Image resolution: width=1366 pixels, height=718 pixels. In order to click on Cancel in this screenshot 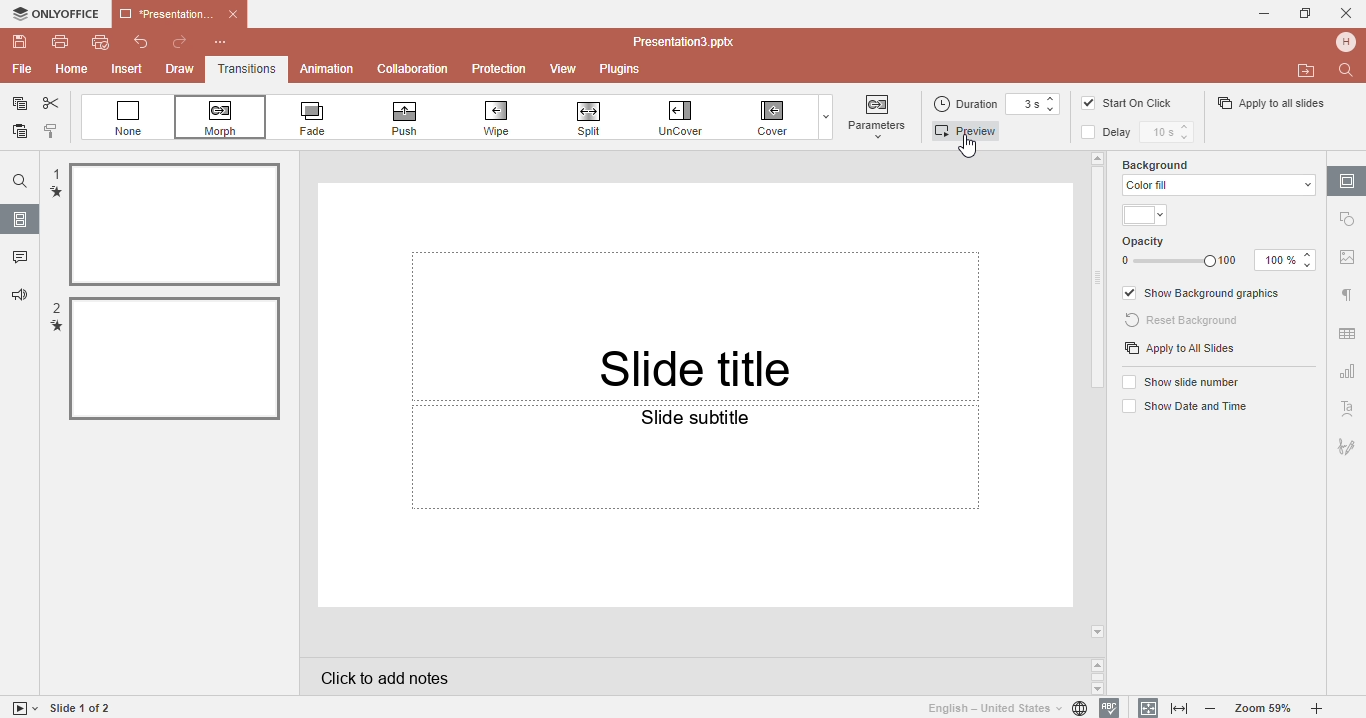, I will do `click(1346, 13)`.